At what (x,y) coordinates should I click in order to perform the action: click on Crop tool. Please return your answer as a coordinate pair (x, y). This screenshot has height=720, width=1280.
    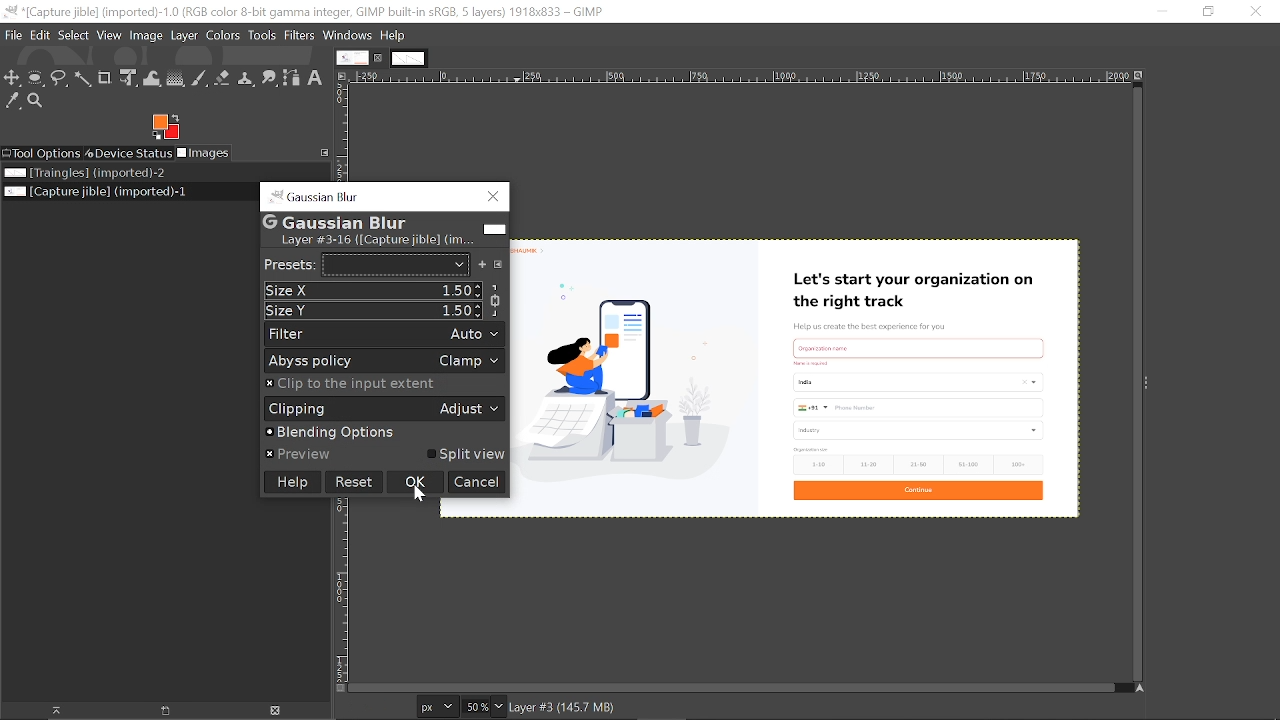
    Looking at the image, I should click on (106, 79).